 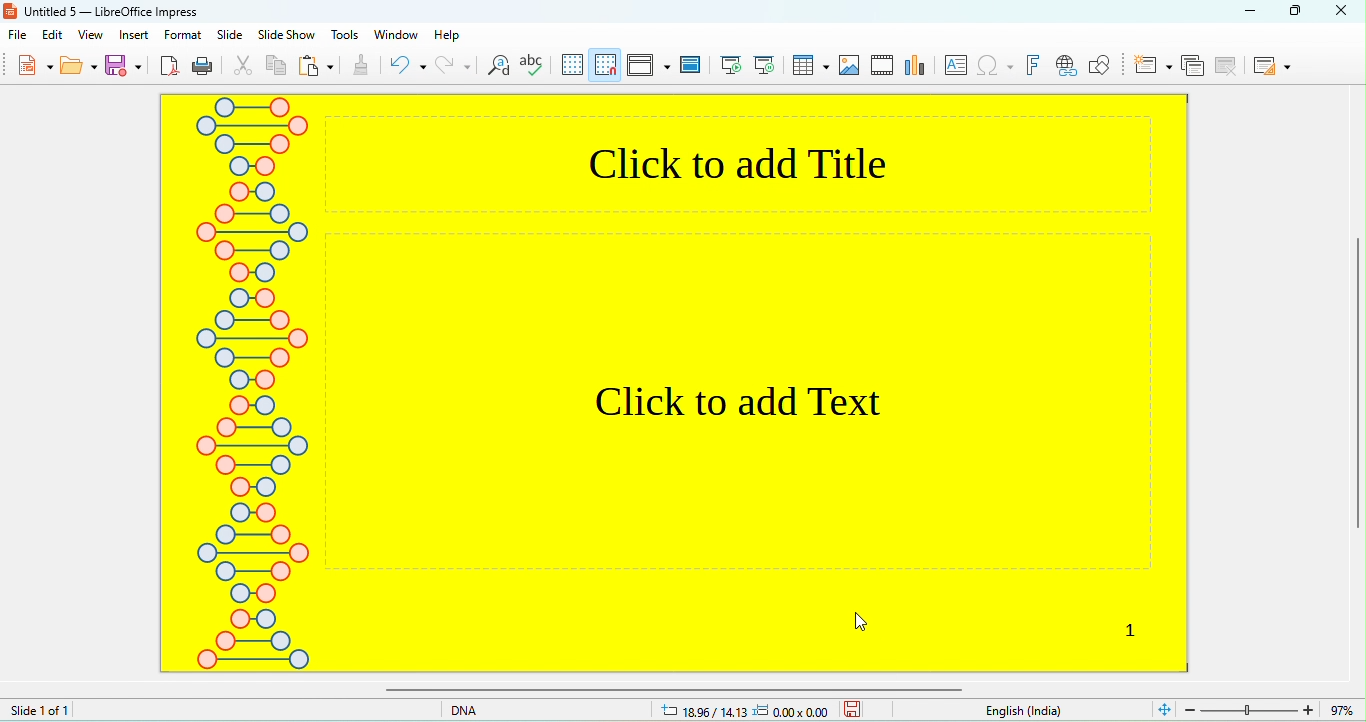 What do you see at coordinates (499, 68) in the screenshot?
I see `find and replace` at bounding box center [499, 68].